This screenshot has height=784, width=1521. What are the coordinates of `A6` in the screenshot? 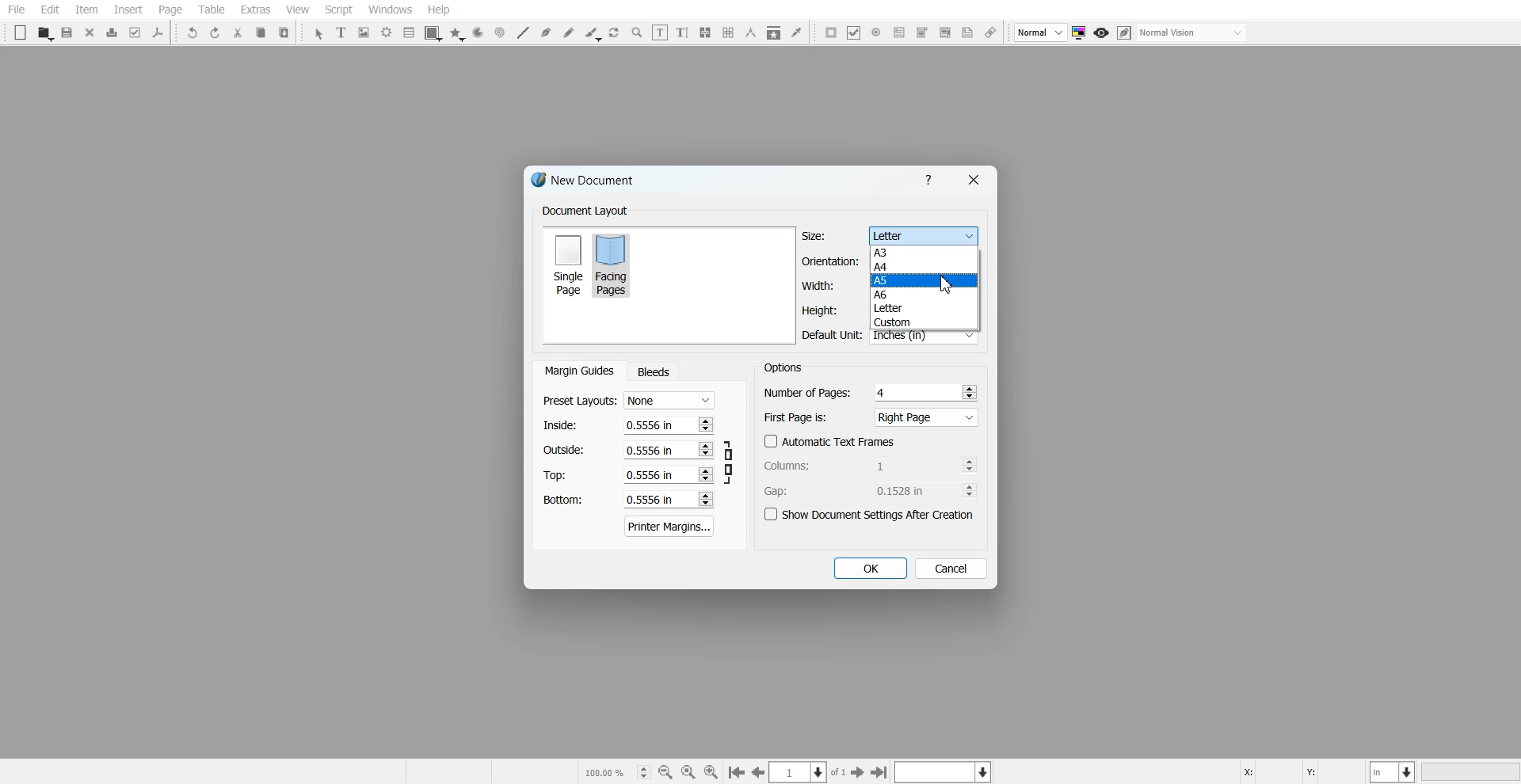 It's located at (925, 295).